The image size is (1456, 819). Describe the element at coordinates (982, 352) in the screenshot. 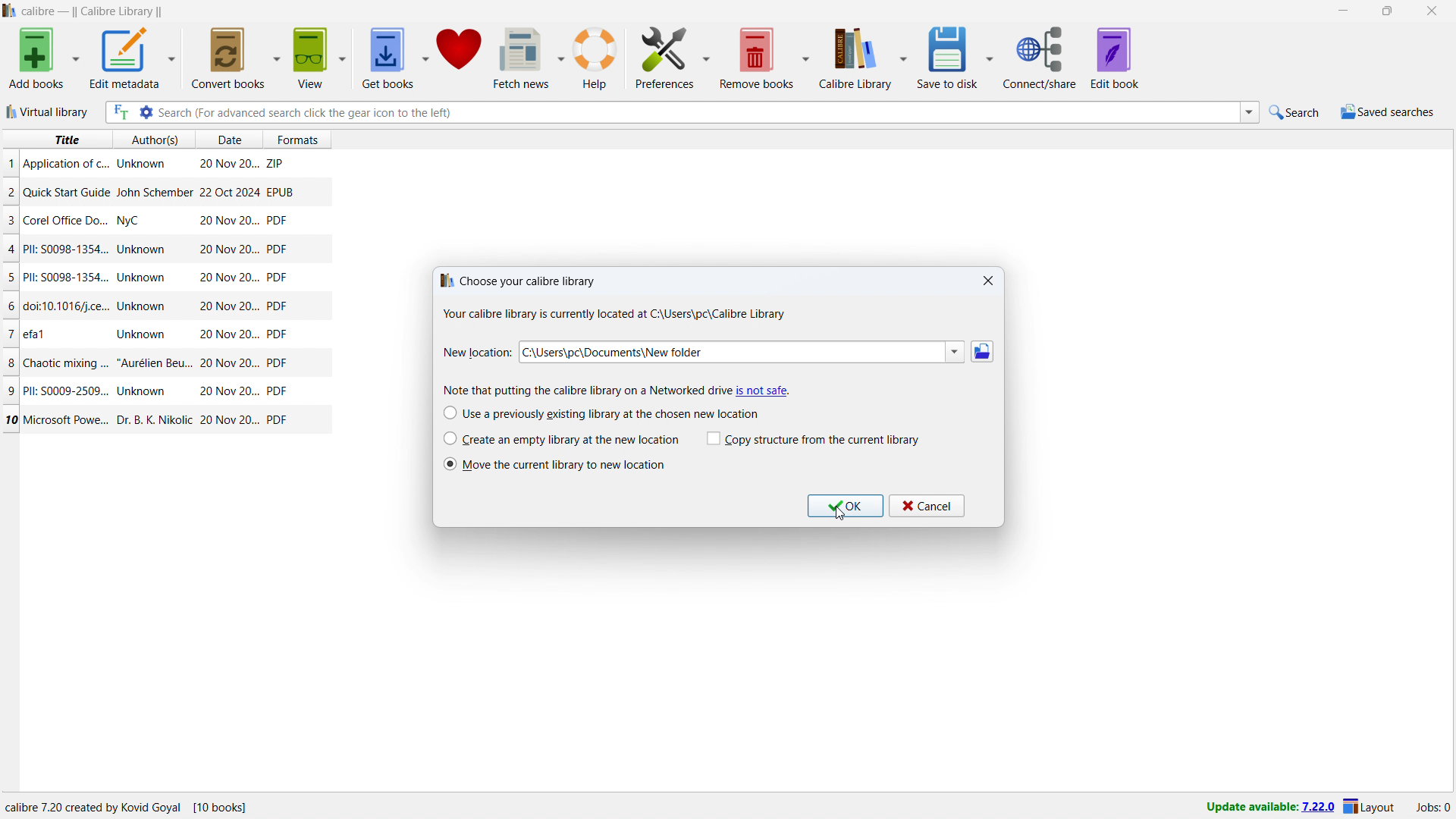

I see `browse folder` at that location.